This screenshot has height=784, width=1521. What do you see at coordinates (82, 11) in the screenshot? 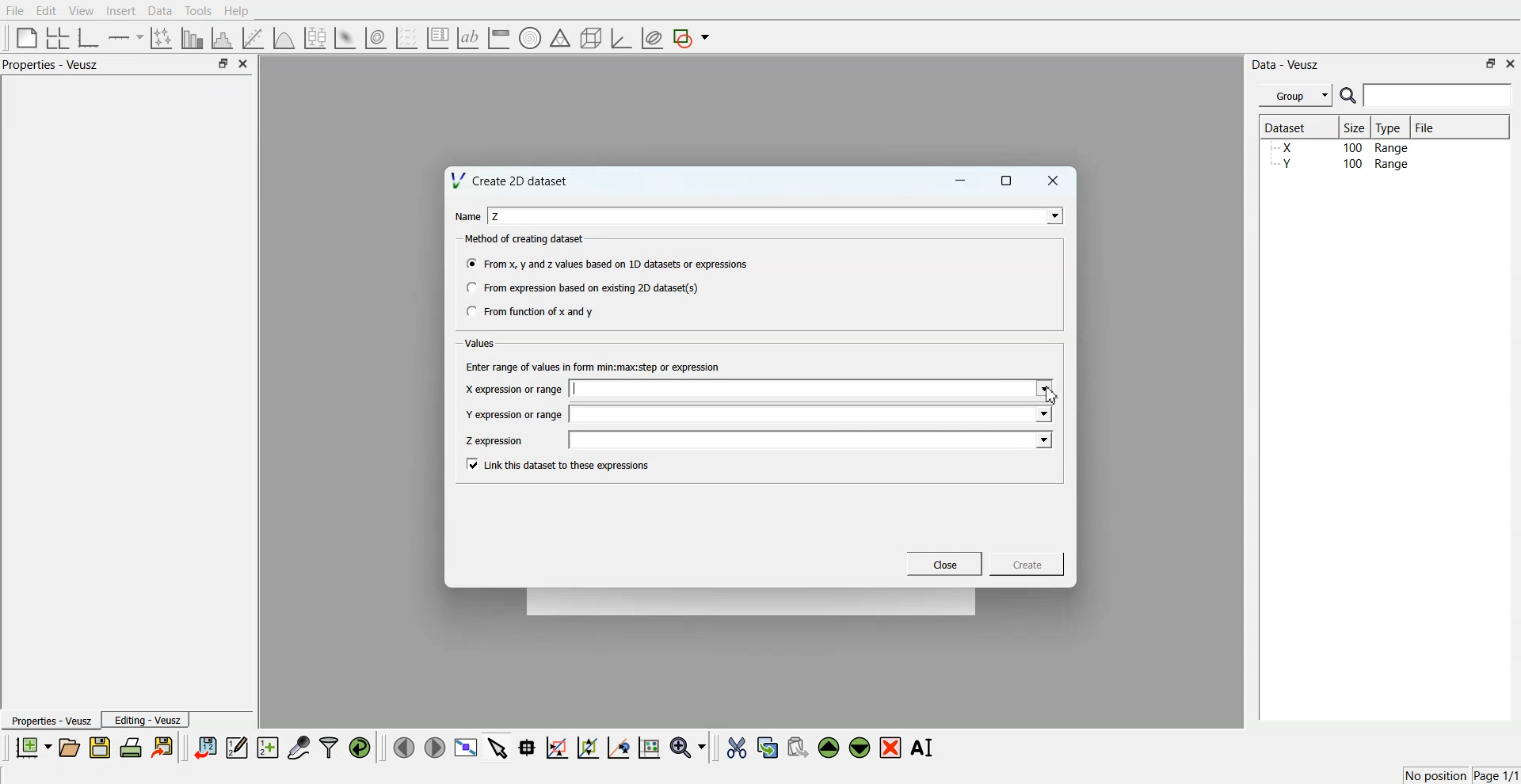
I see `View` at bounding box center [82, 11].